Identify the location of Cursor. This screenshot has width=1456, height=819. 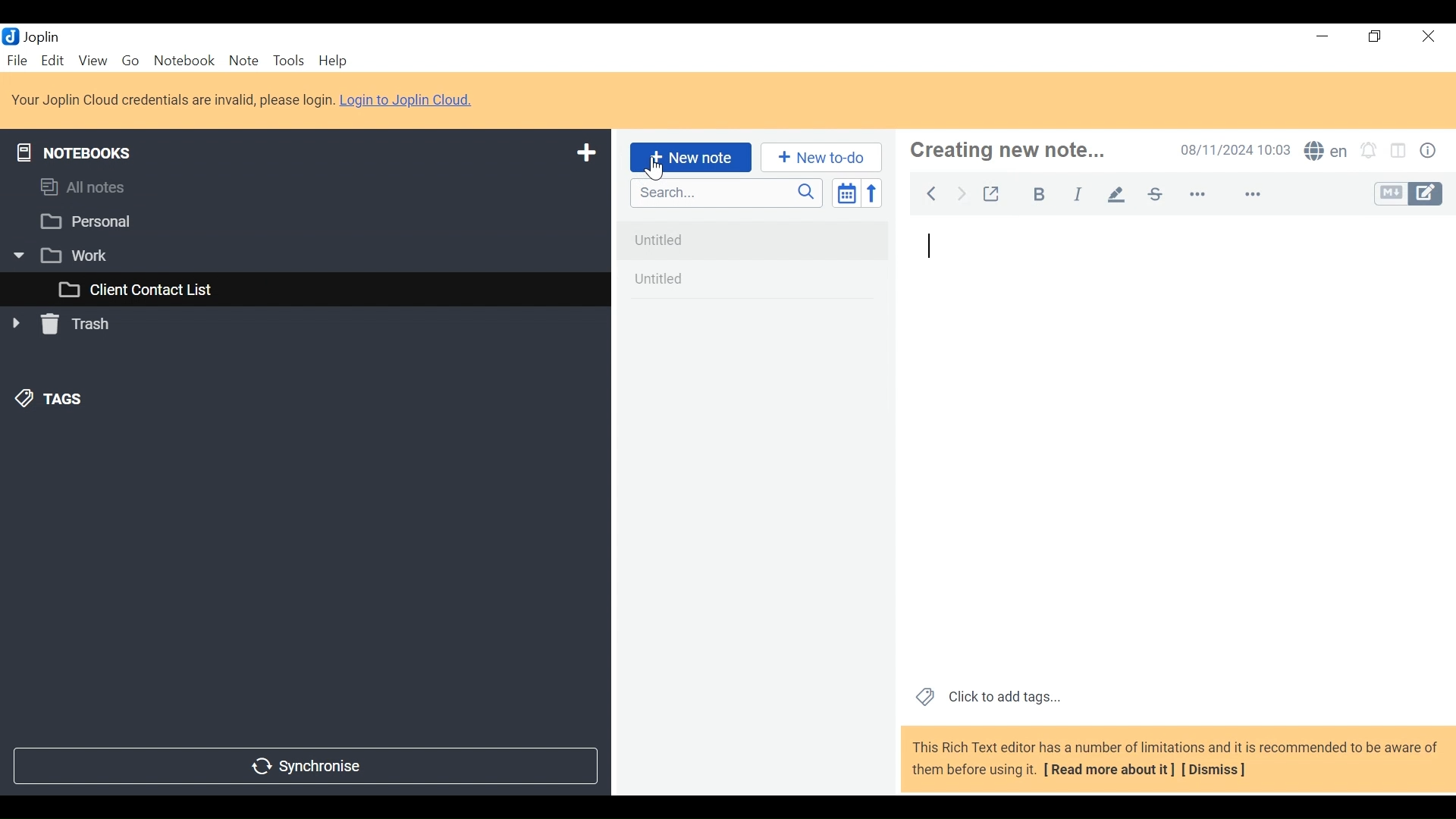
(658, 170).